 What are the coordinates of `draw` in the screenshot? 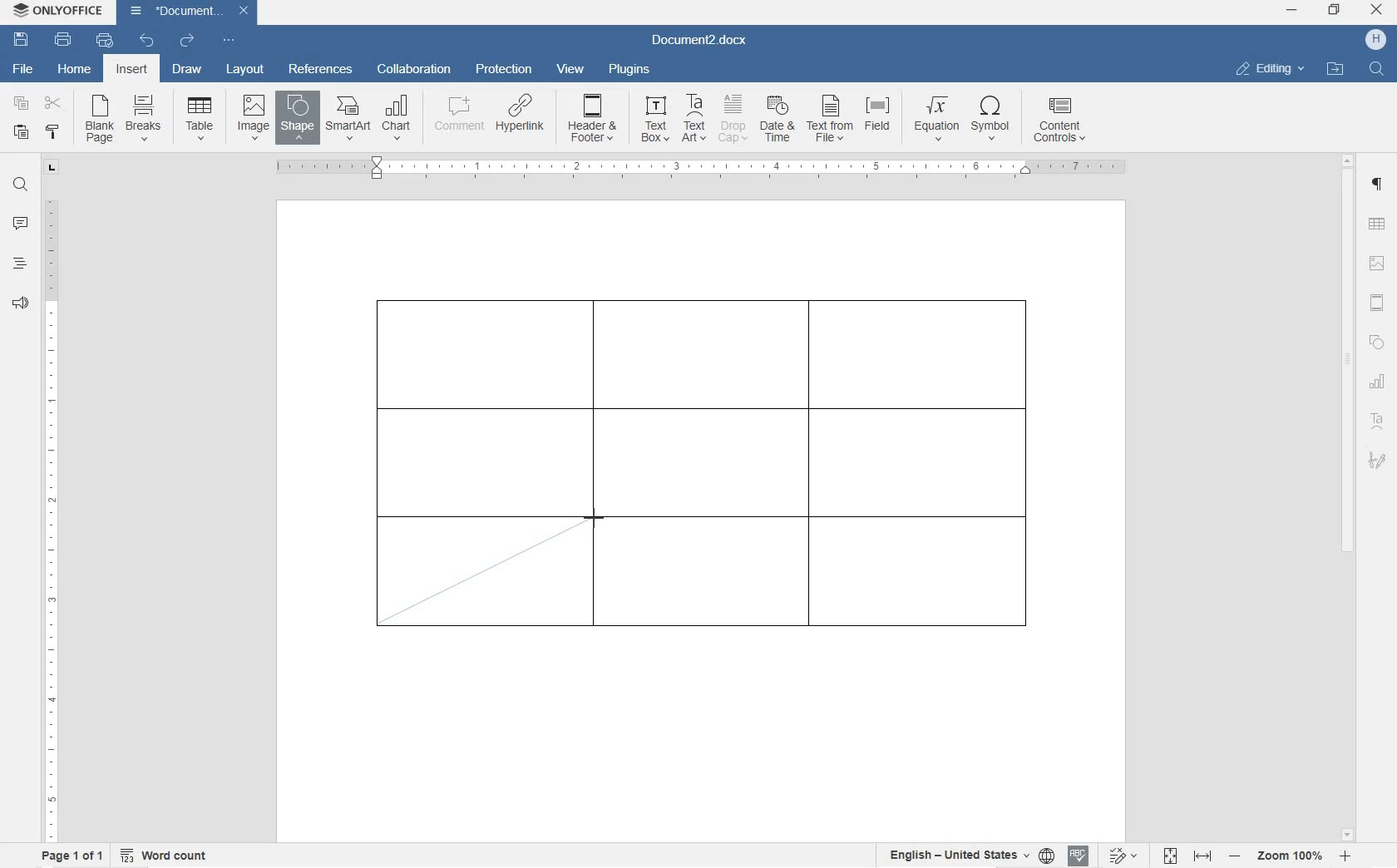 It's located at (187, 69).